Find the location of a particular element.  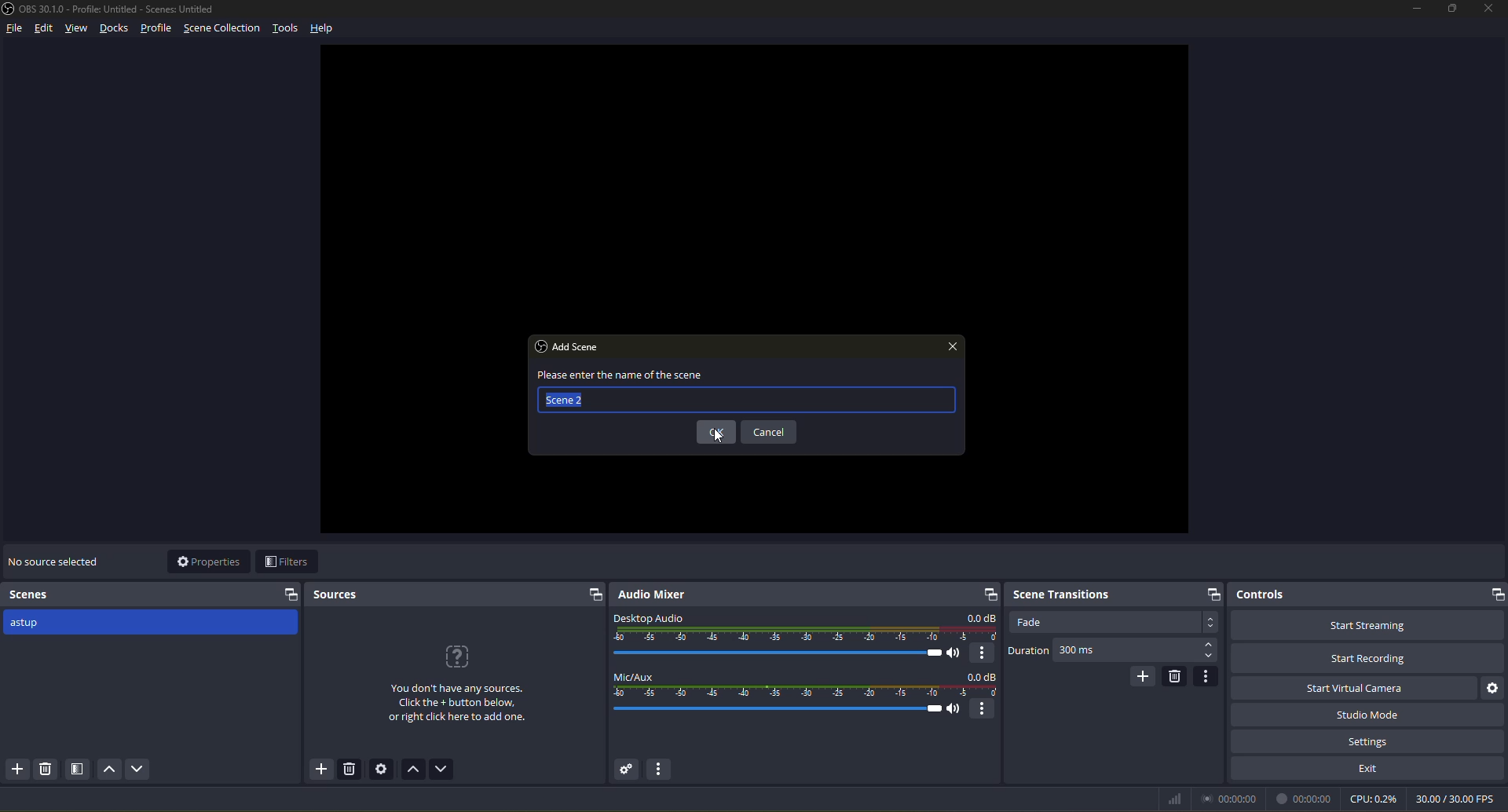

expand is located at coordinates (594, 594).